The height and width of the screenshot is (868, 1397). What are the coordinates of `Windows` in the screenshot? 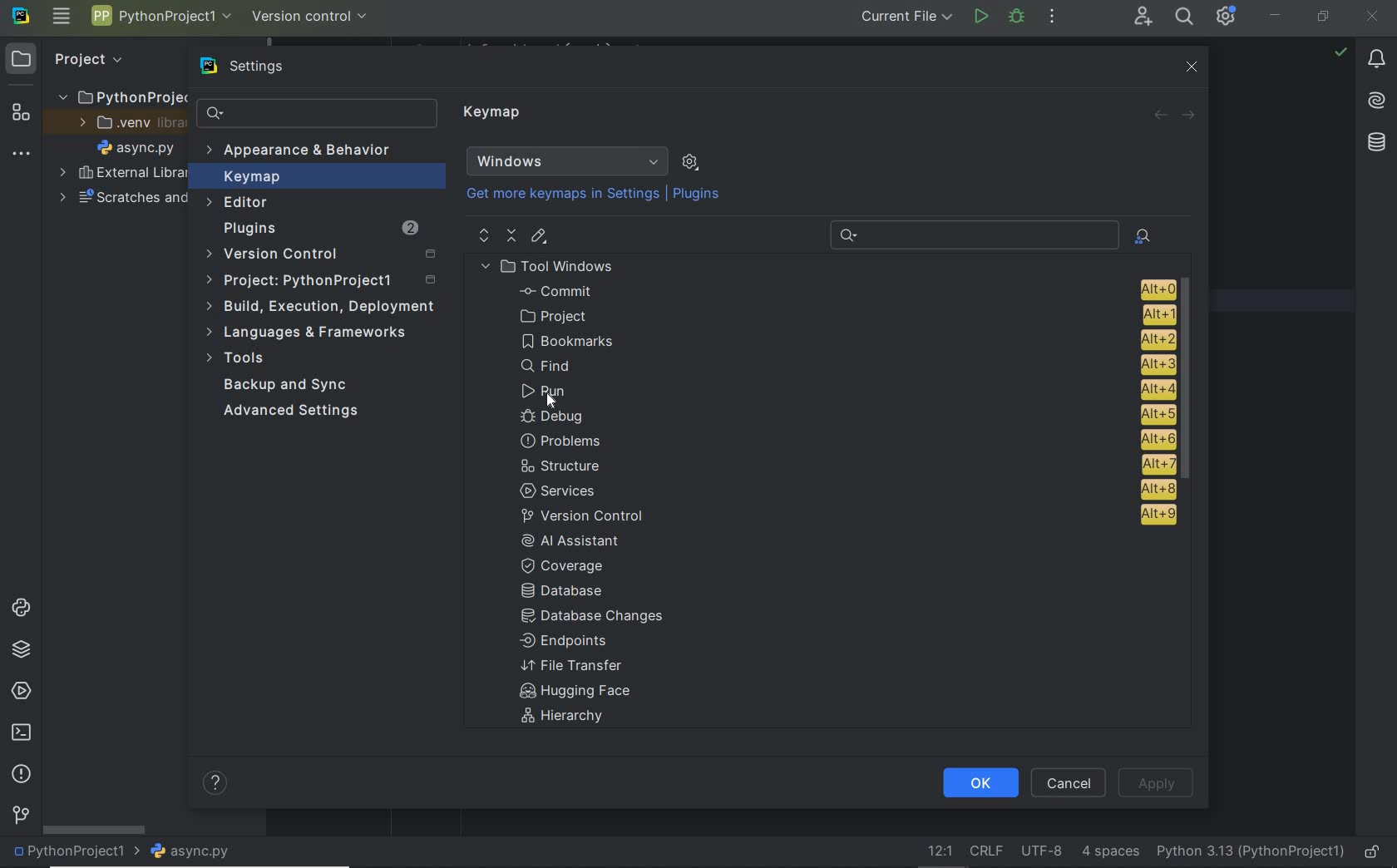 It's located at (567, 161).